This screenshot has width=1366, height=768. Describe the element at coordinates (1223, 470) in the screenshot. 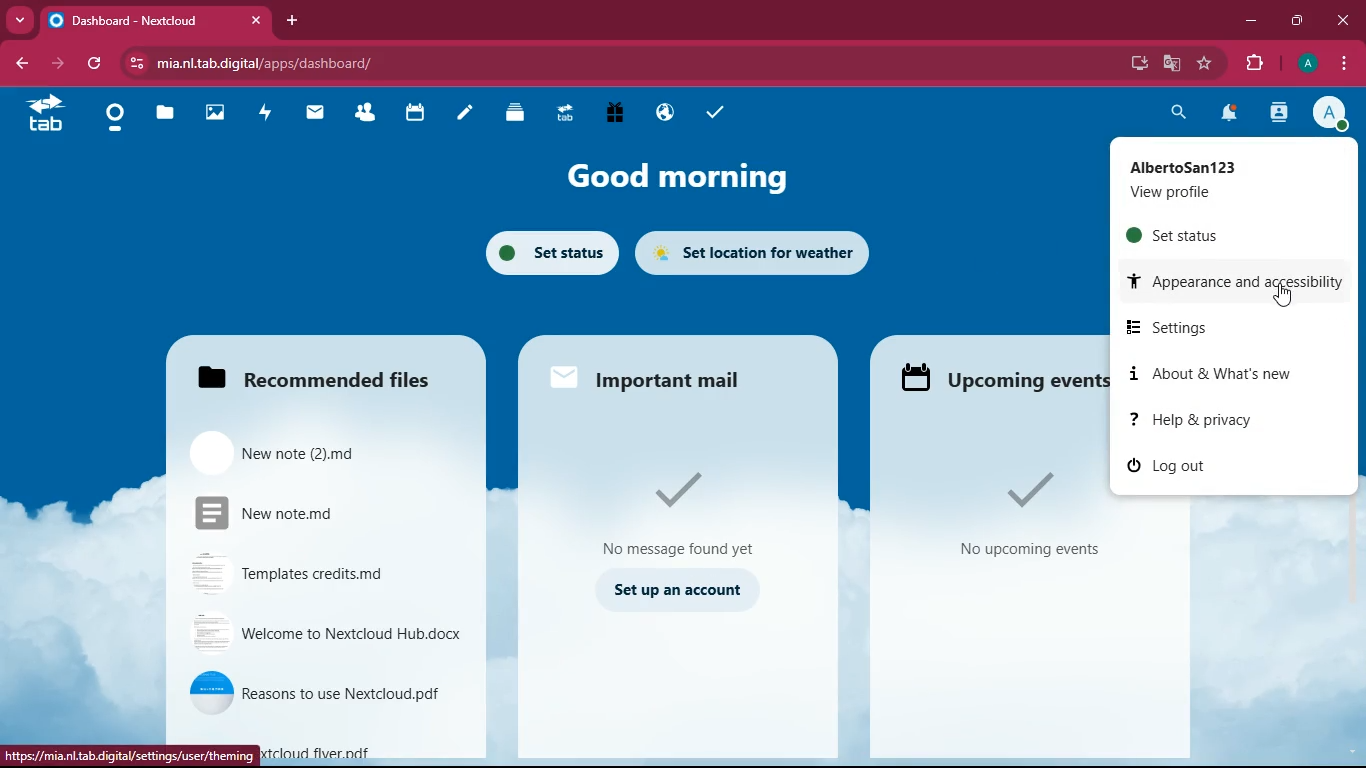

I see `log out` at that location.